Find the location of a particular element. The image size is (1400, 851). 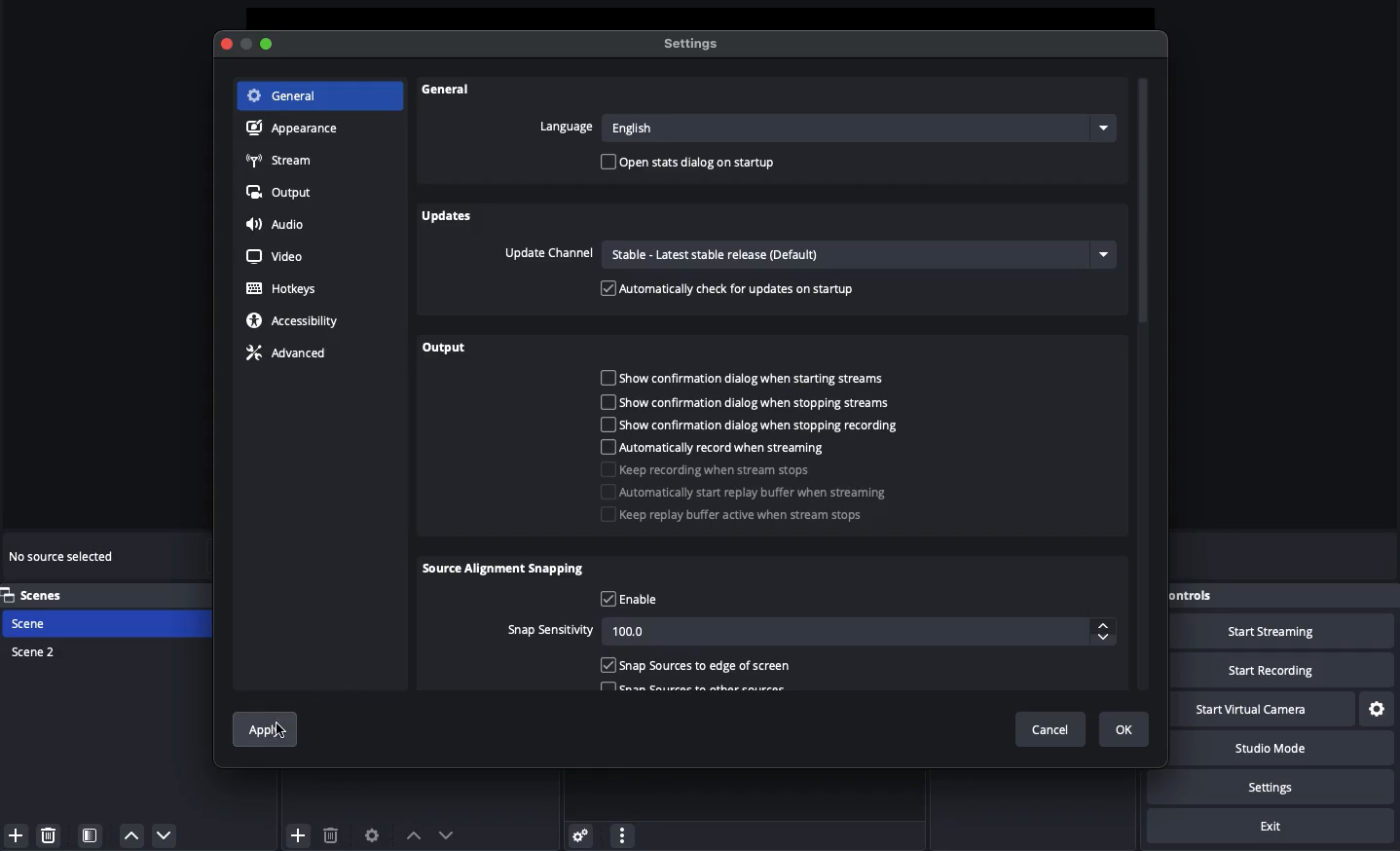

Settings is located at coordinates (1282, 787).